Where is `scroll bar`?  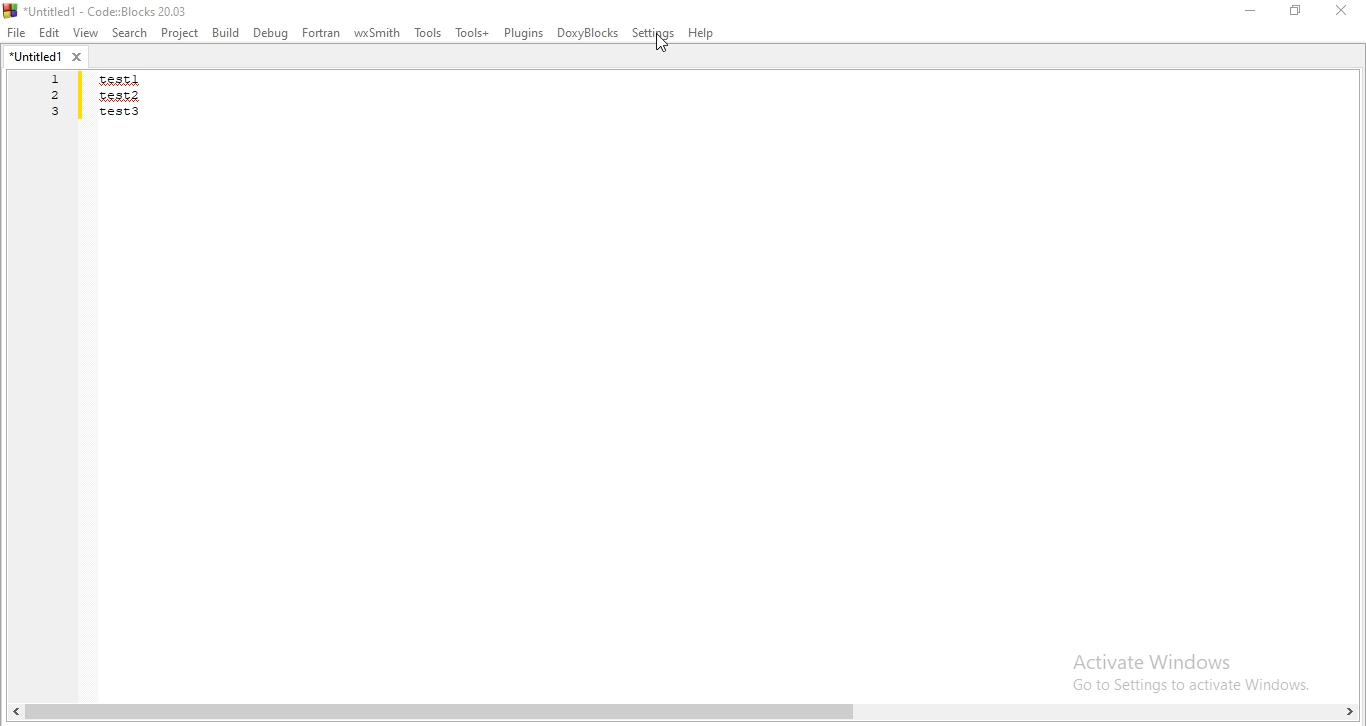
scroll bar is located at coordinates (683, 714).